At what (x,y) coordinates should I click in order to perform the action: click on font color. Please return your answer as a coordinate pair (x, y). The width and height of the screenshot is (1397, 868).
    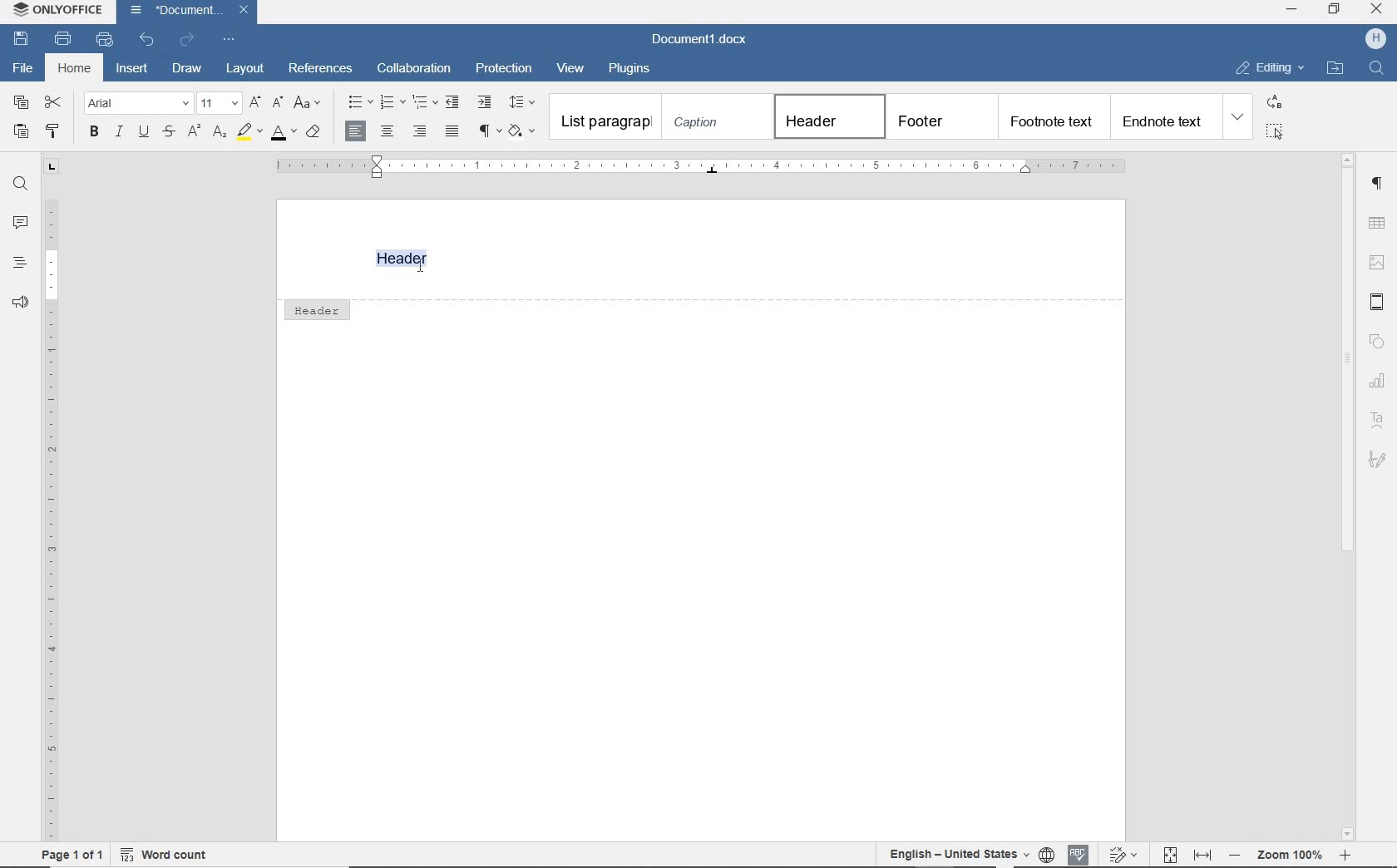
    Looking at the image, I should click on (283, 136).